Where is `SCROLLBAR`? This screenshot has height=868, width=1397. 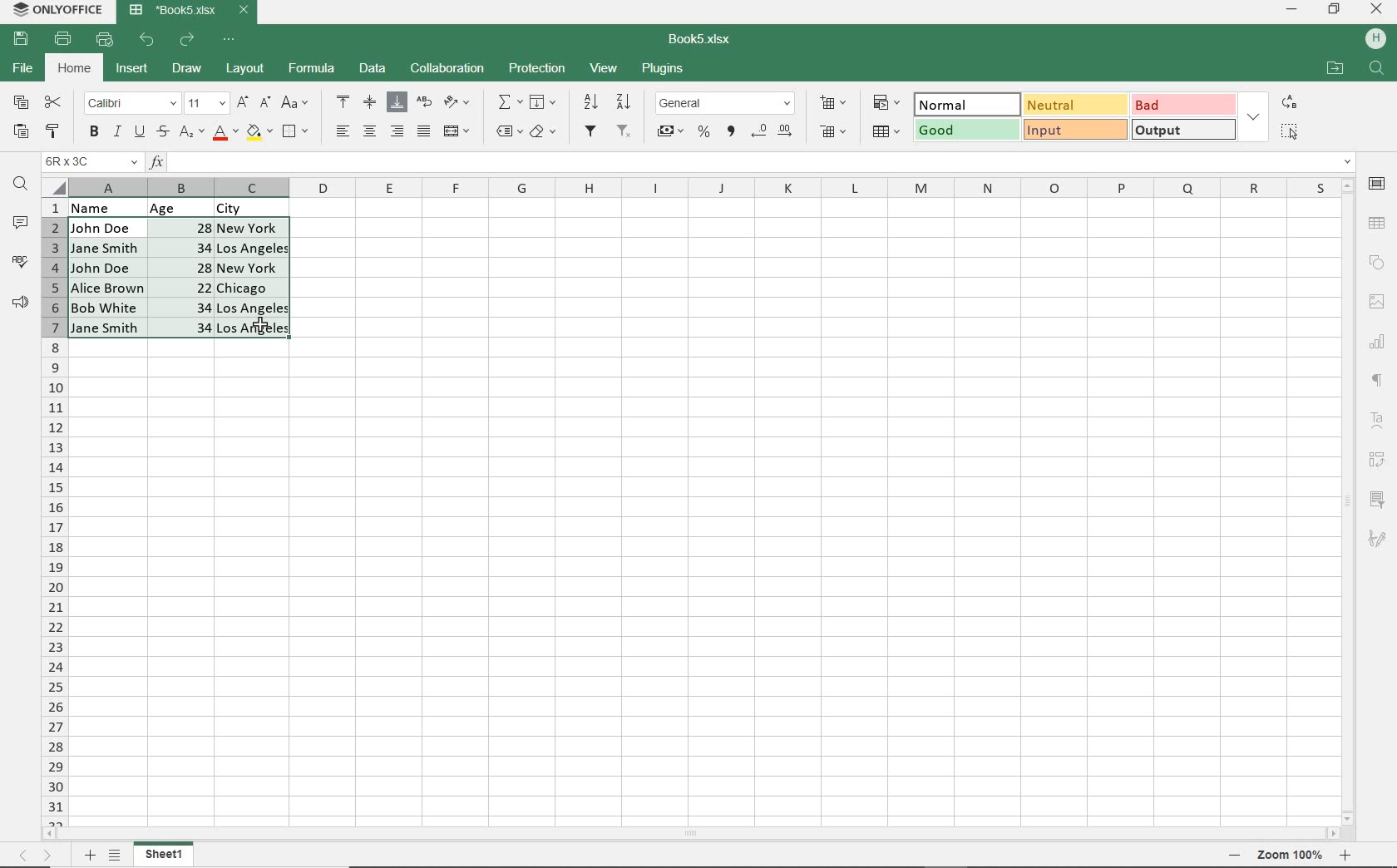 SCROLLBAR is located at coordinates (696, 835).